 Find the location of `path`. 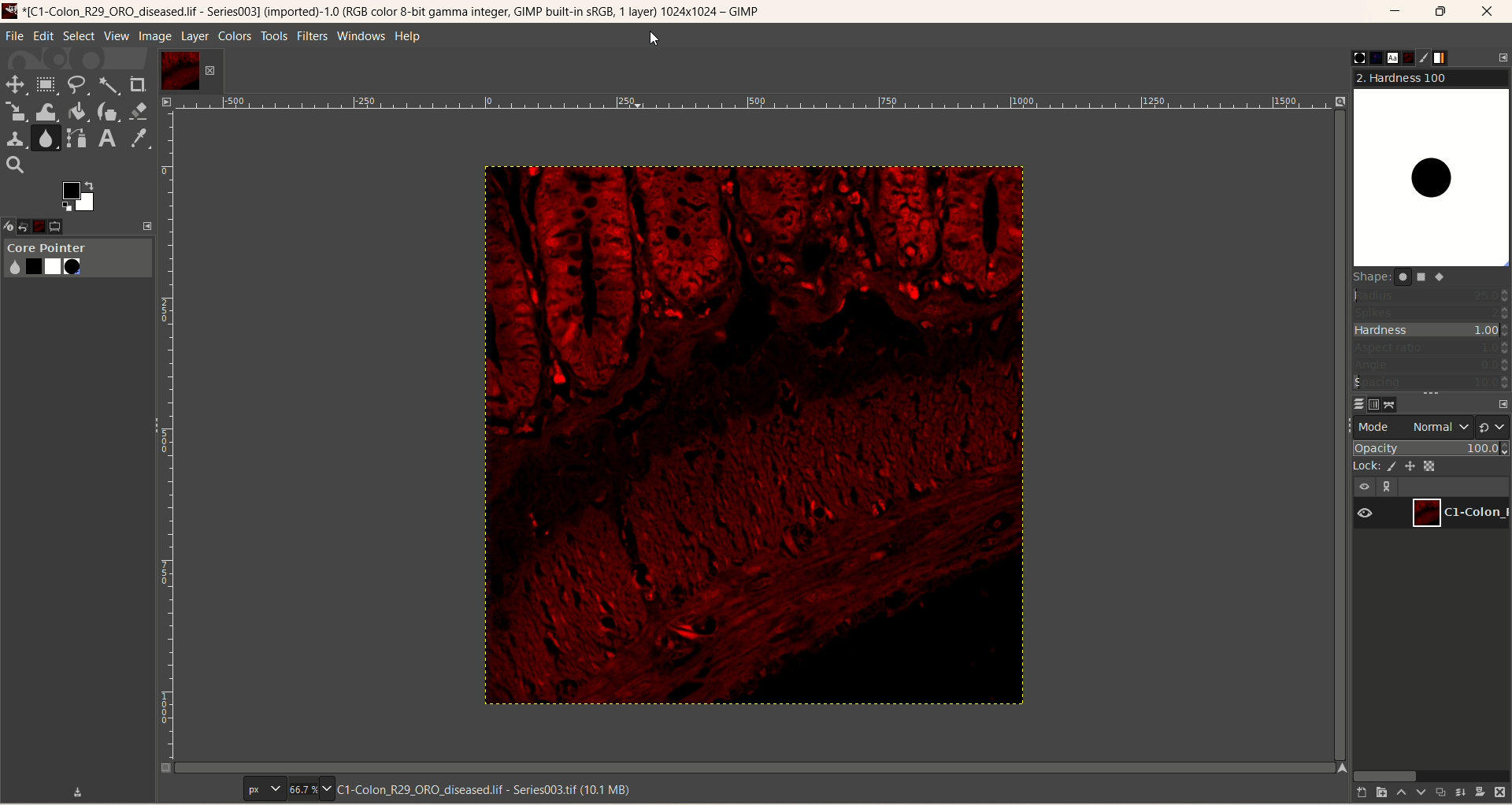

path is located at coordinates (1393, 404).